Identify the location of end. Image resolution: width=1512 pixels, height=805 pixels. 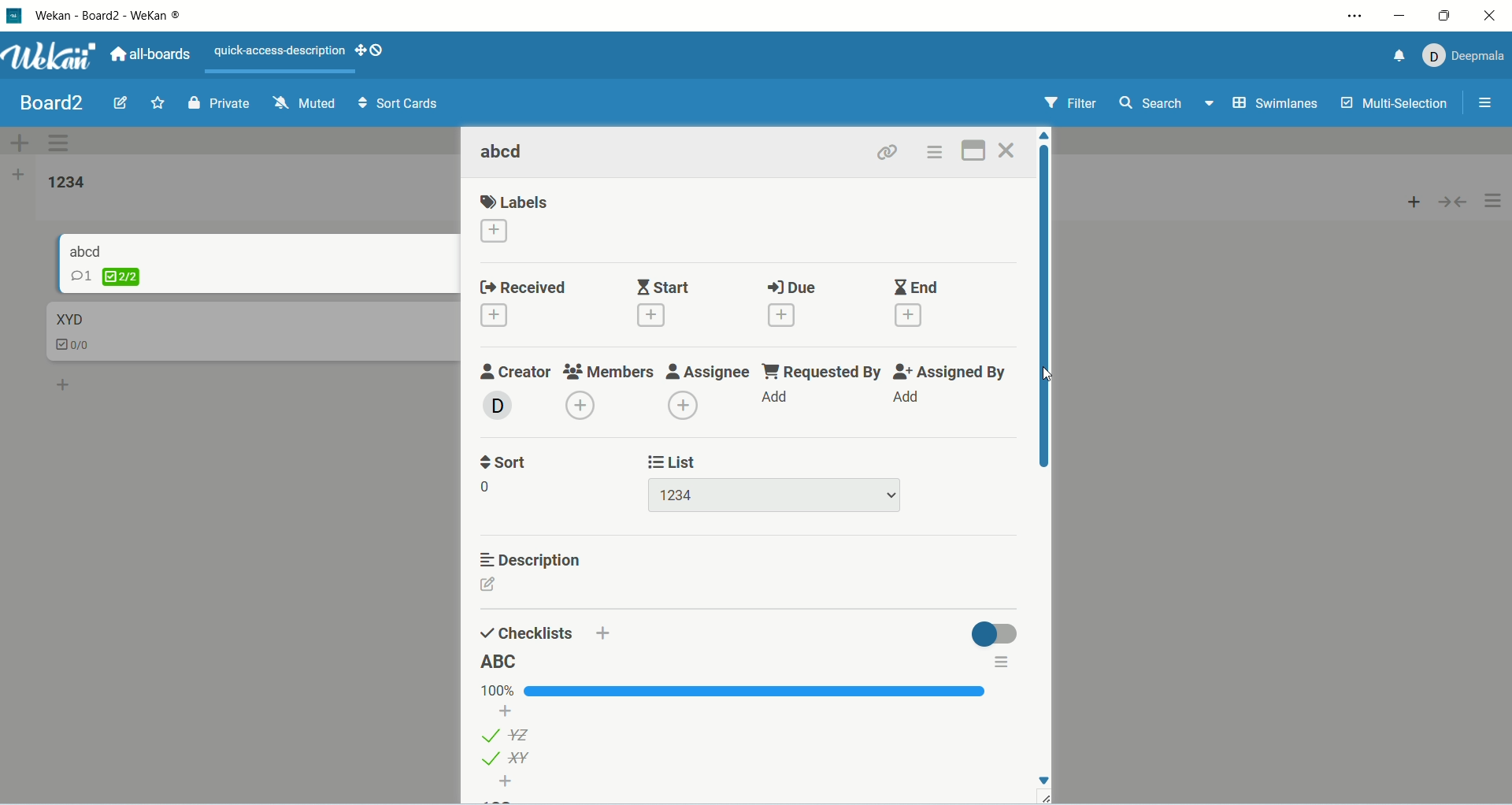
(916, 287).